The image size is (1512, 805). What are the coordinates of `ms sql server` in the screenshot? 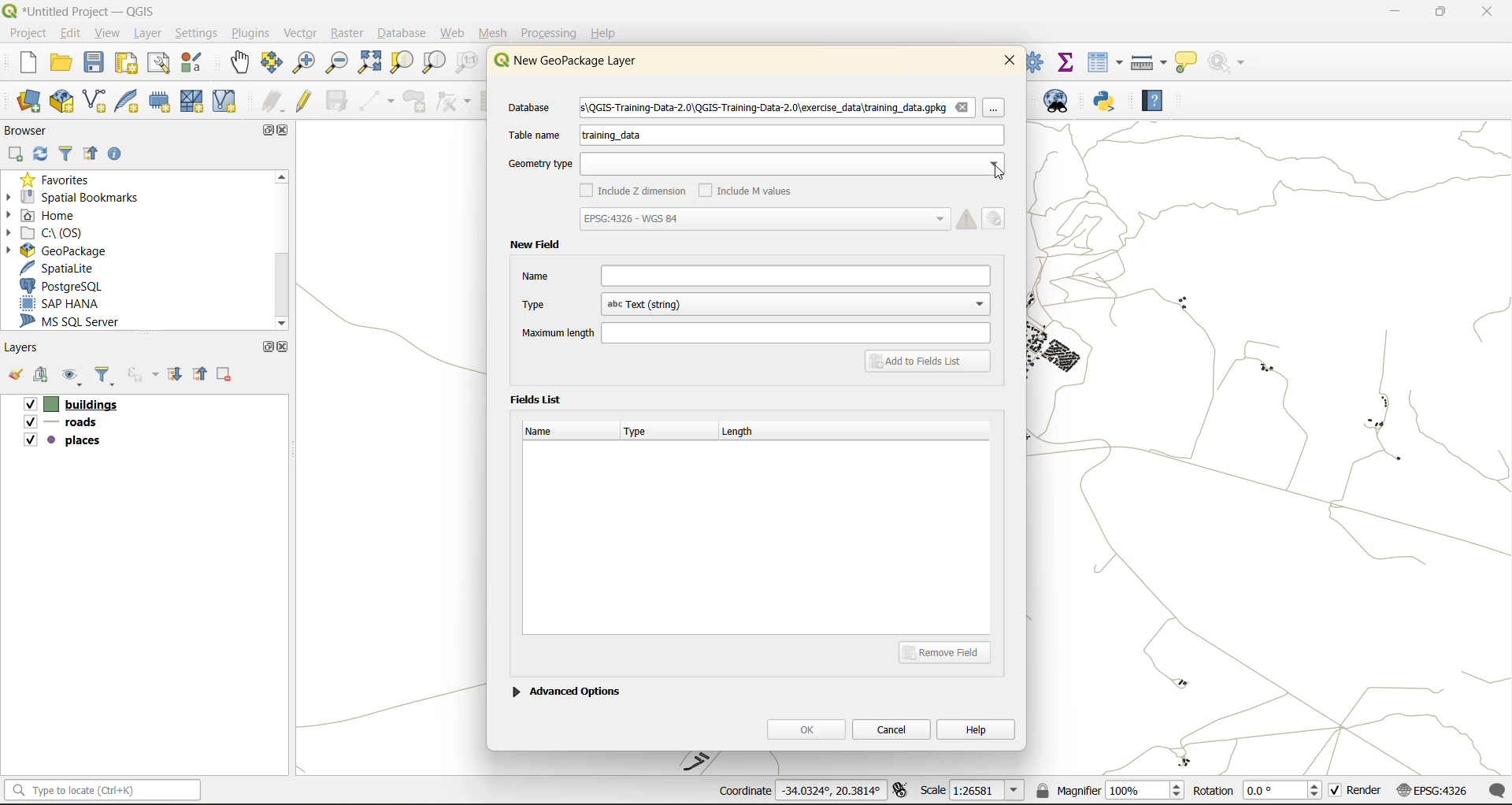 It's located at (80, 324).